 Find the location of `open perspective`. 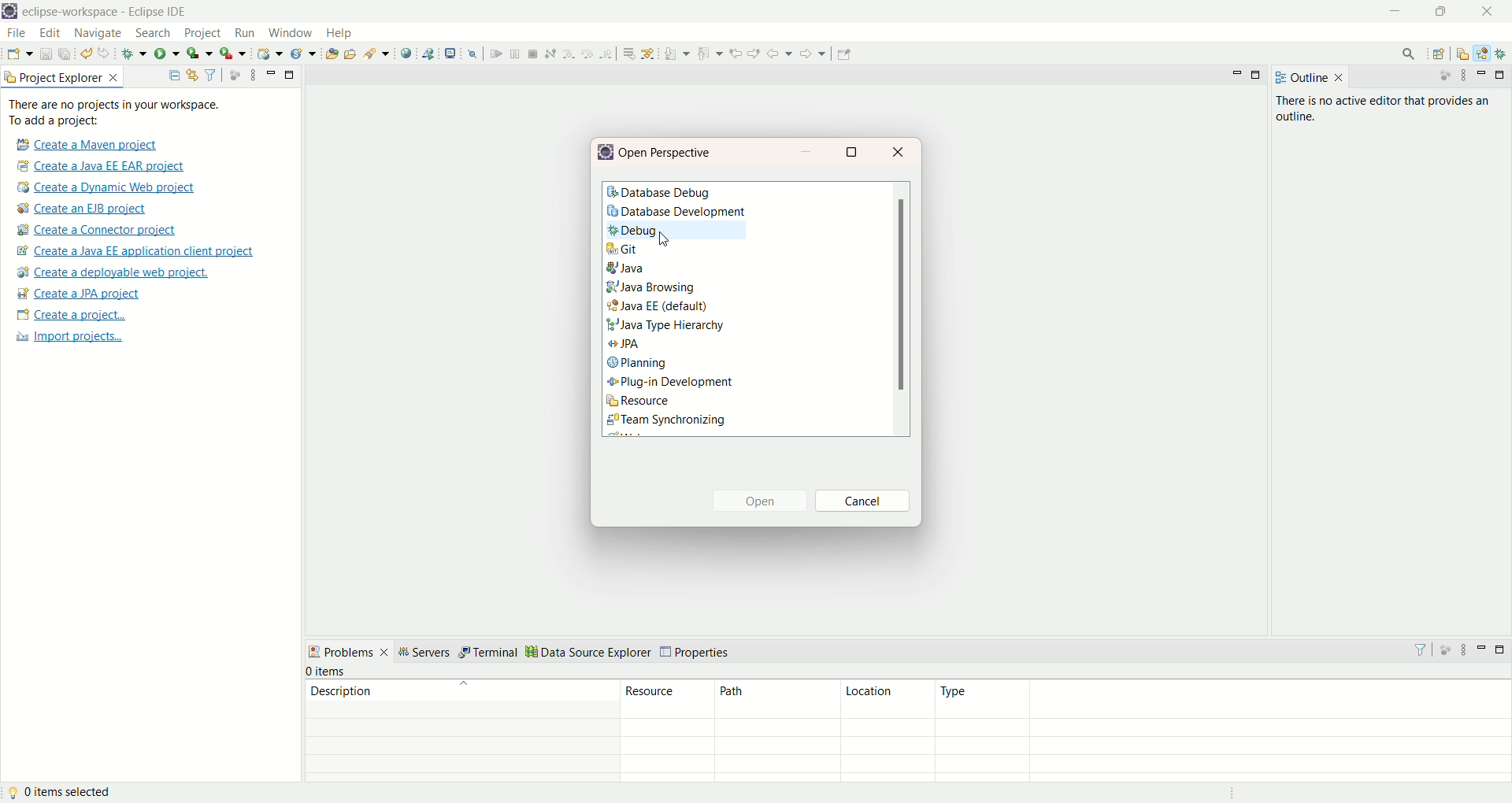

open perspective is located at coordinates (1439, 54).